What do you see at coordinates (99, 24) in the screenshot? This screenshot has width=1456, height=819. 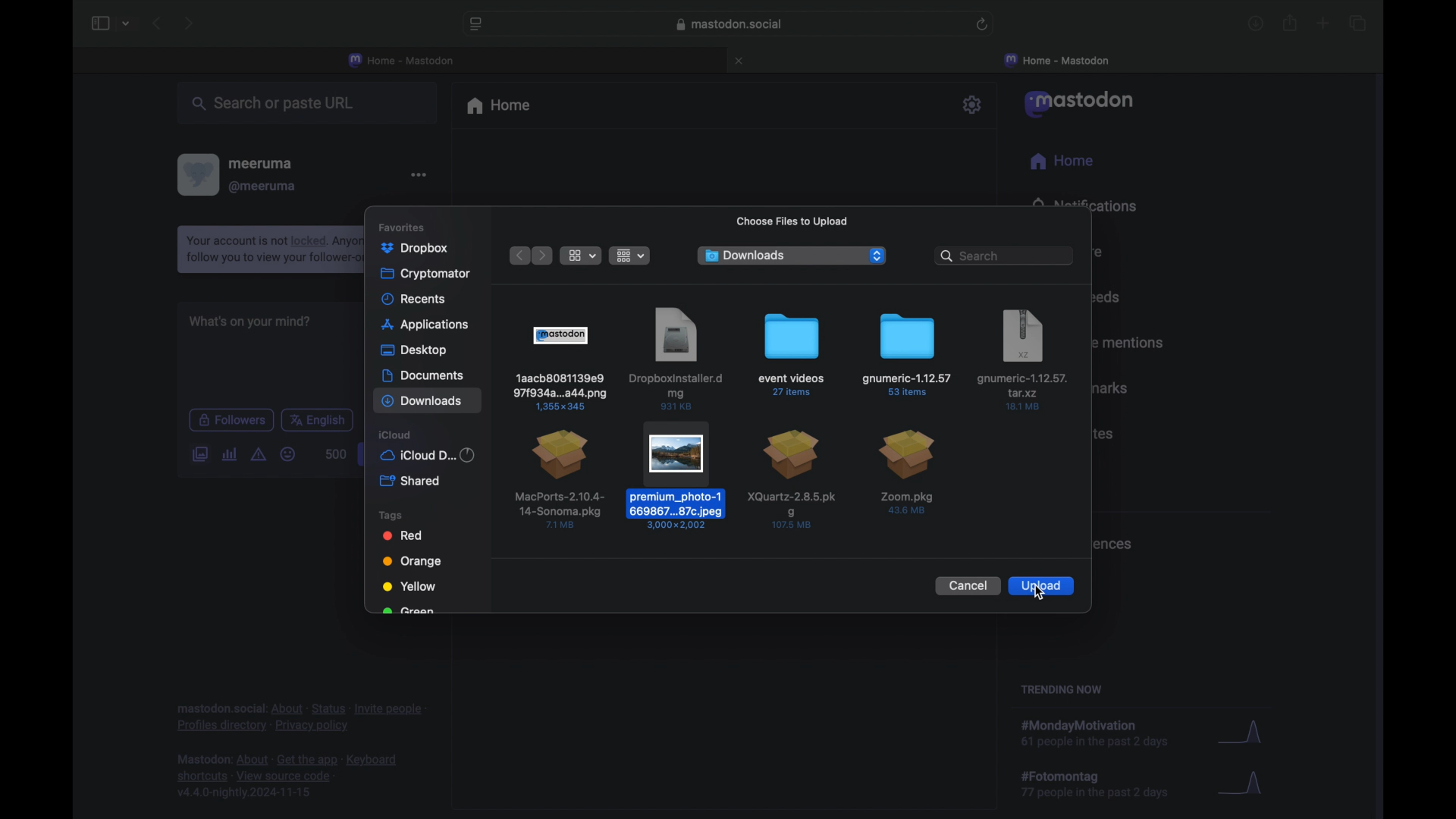 I see `sidebar` at bounding box center [99, 24].